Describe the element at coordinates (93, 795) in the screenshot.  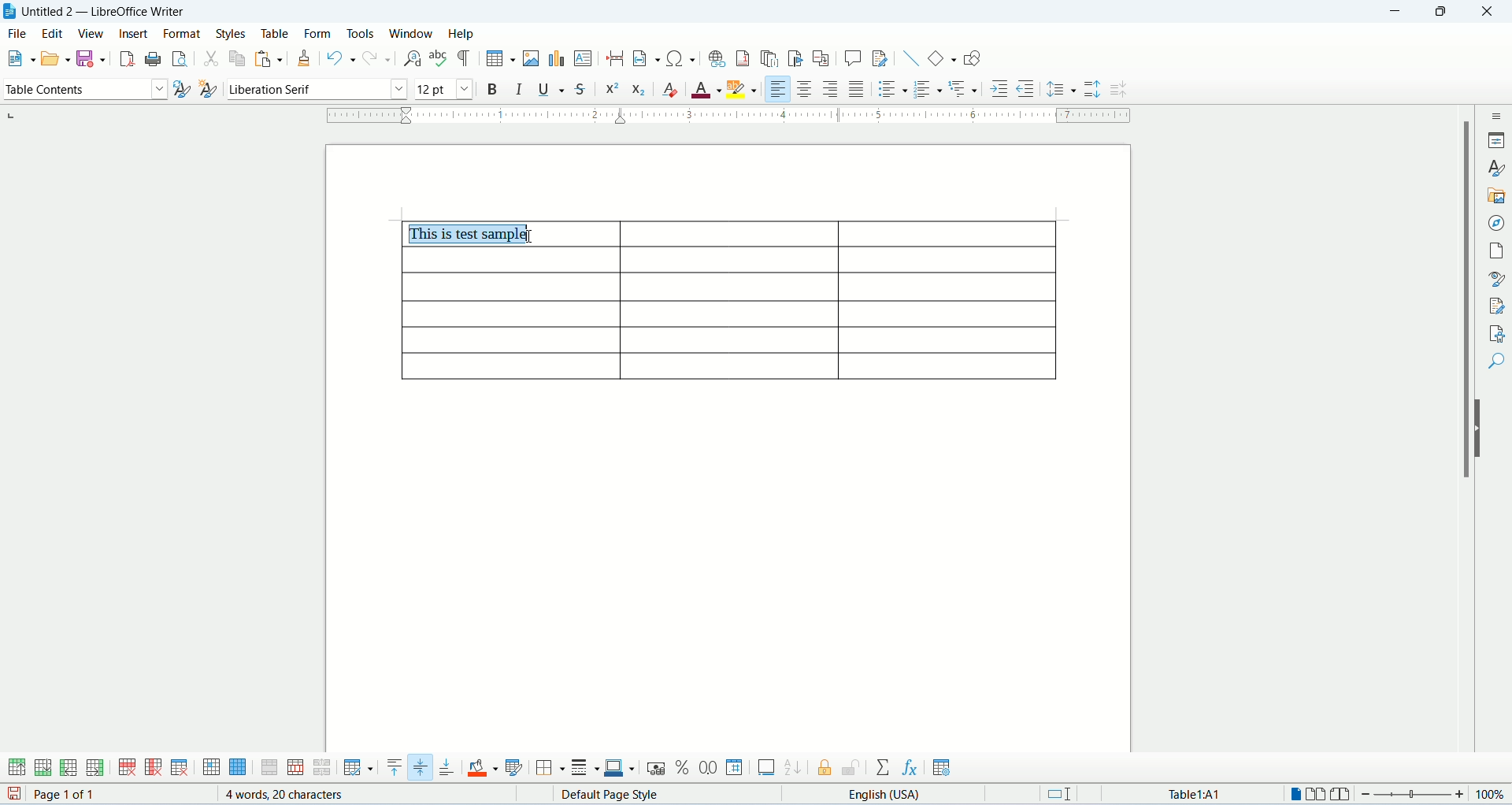
I see `page count` at that location.